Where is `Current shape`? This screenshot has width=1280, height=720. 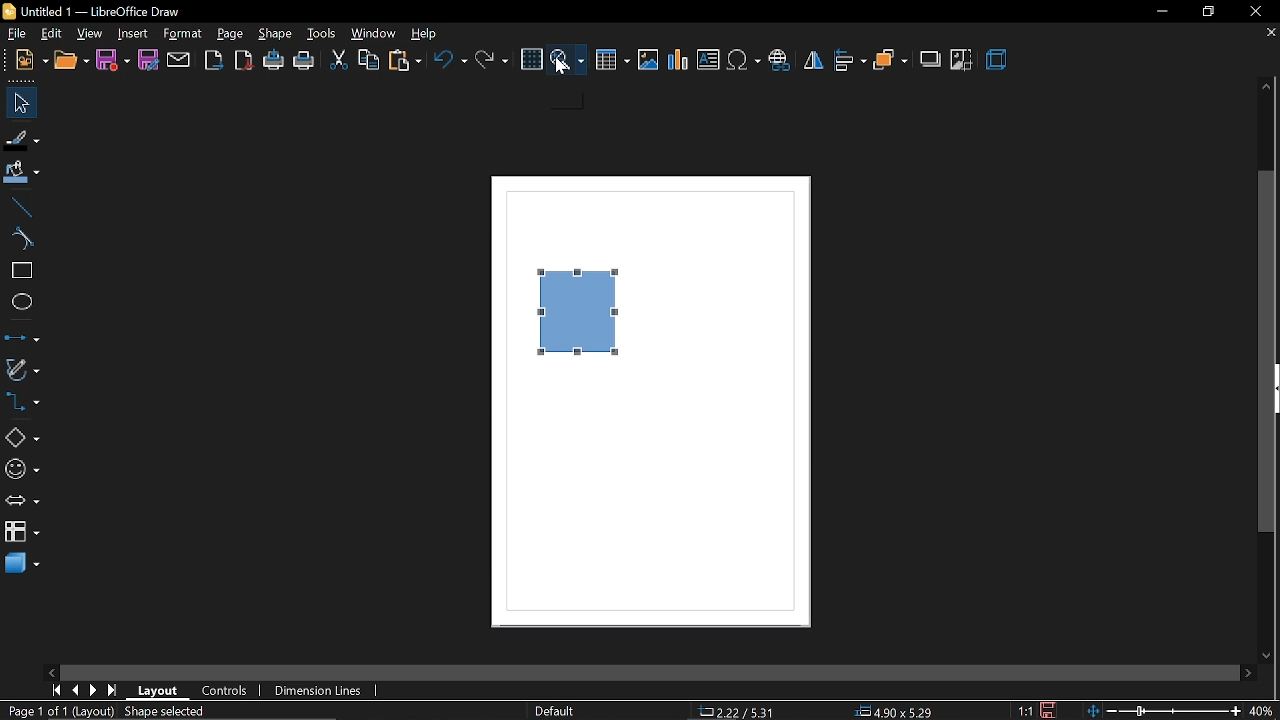 Current shape is located at coordinates (579, 317).